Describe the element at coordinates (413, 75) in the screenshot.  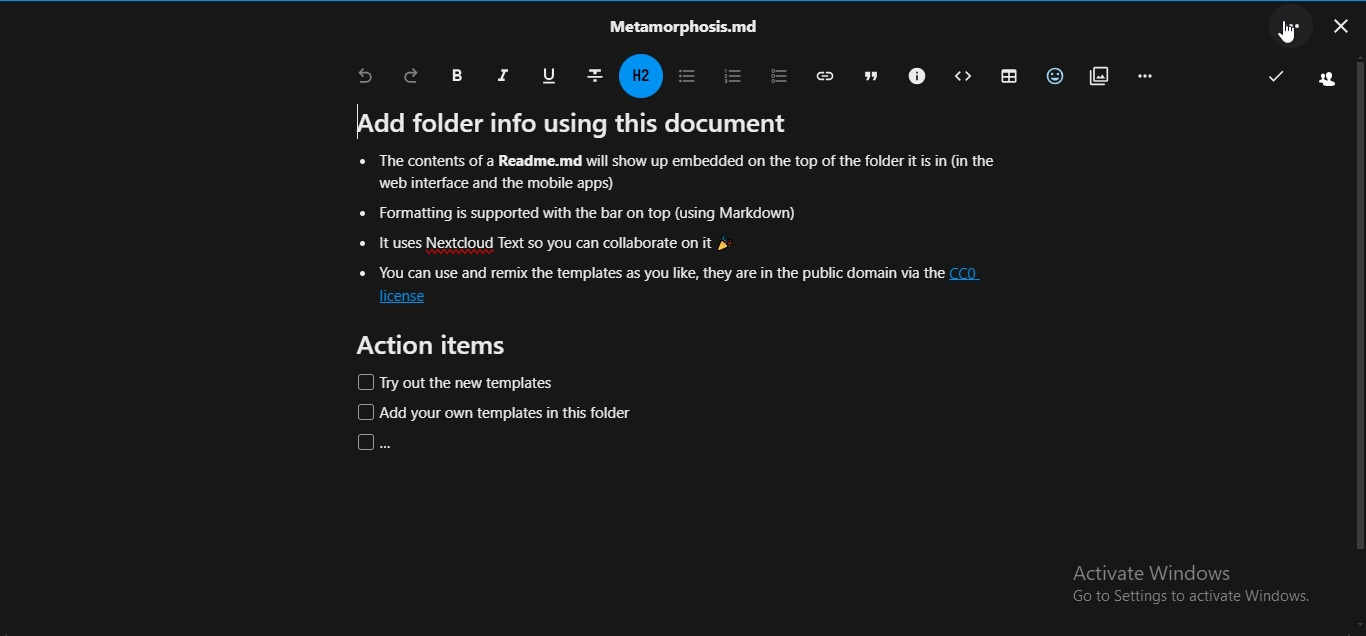
I see `redo` at that location.